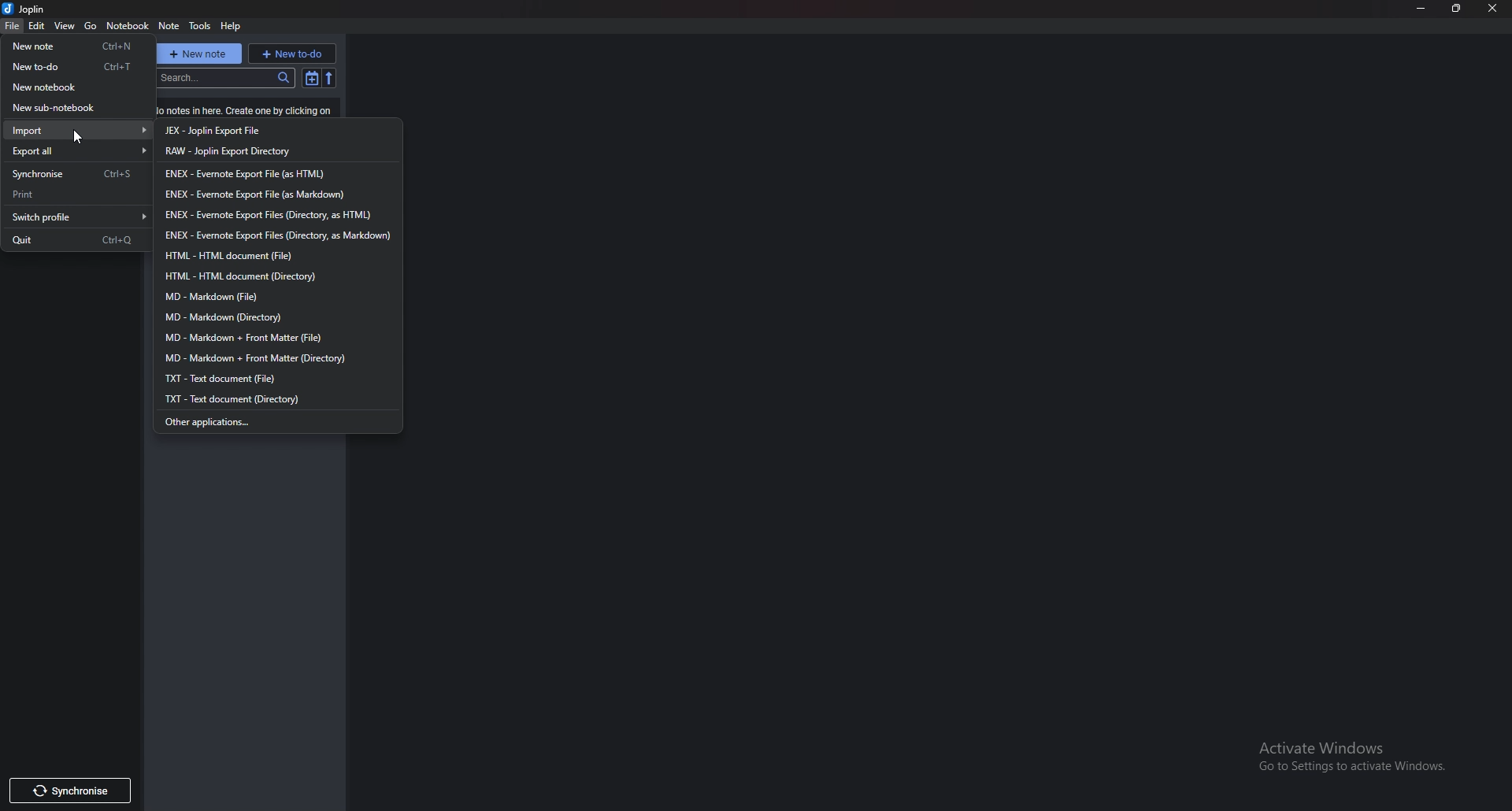 The width and height of the screenshot is (1512, 811). Describe the element at coordinates (219, 295) in the screenshot. I see `markdown file` at that location.